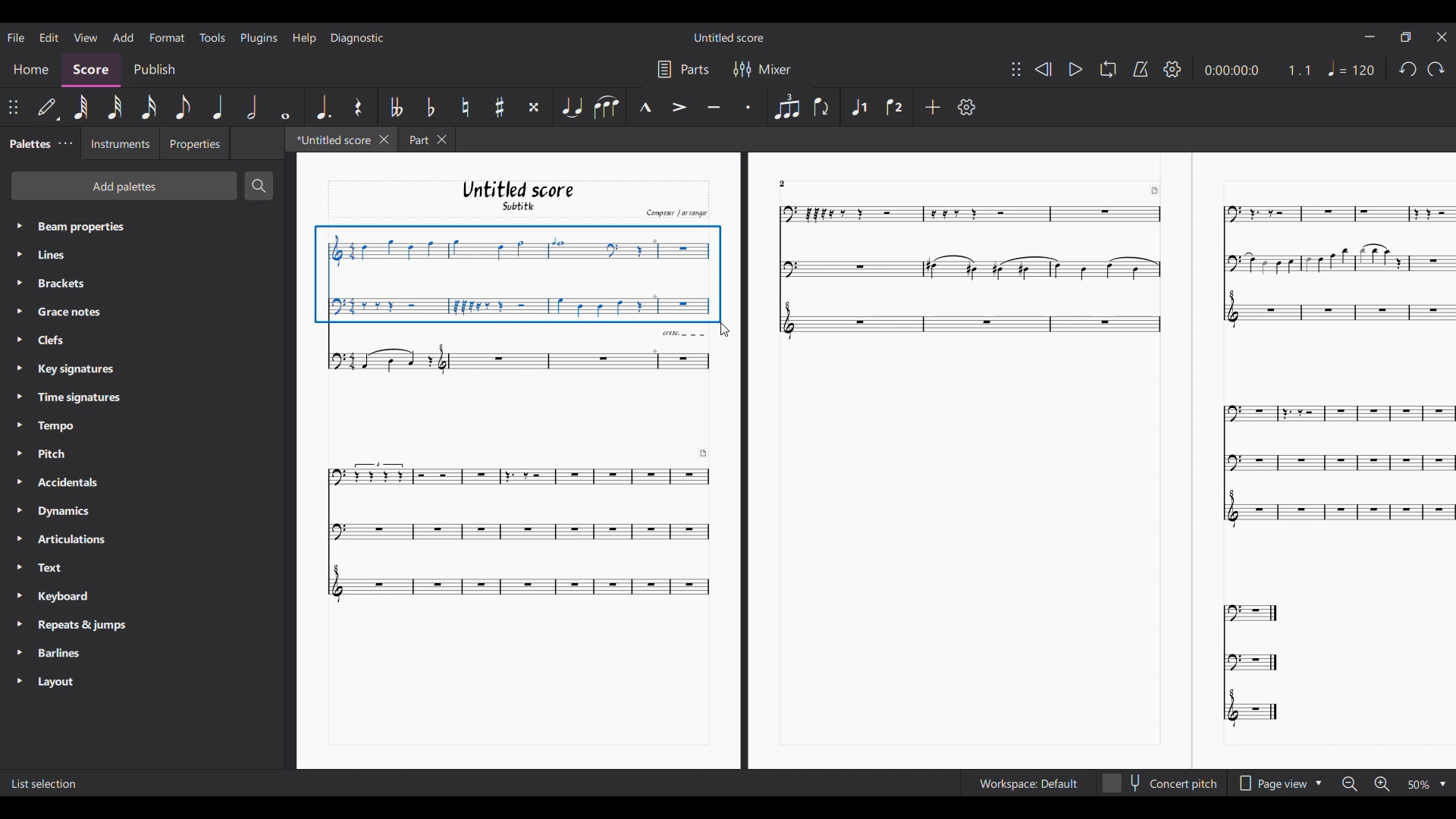 The image size is (1456, 819). What do you see at coordinates (82, 626) in the screenshot?
I see `Repeats & Jumps` at bounding box center [82, 626].